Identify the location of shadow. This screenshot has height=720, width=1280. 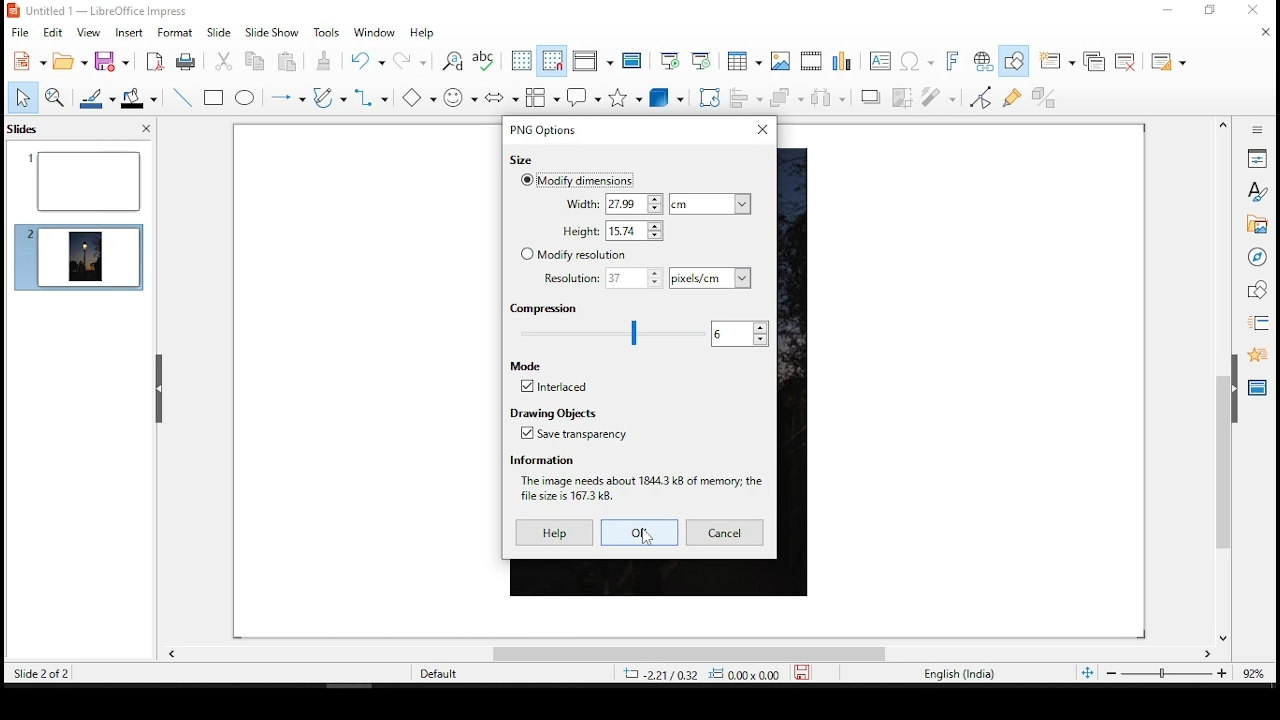
(871, 98).